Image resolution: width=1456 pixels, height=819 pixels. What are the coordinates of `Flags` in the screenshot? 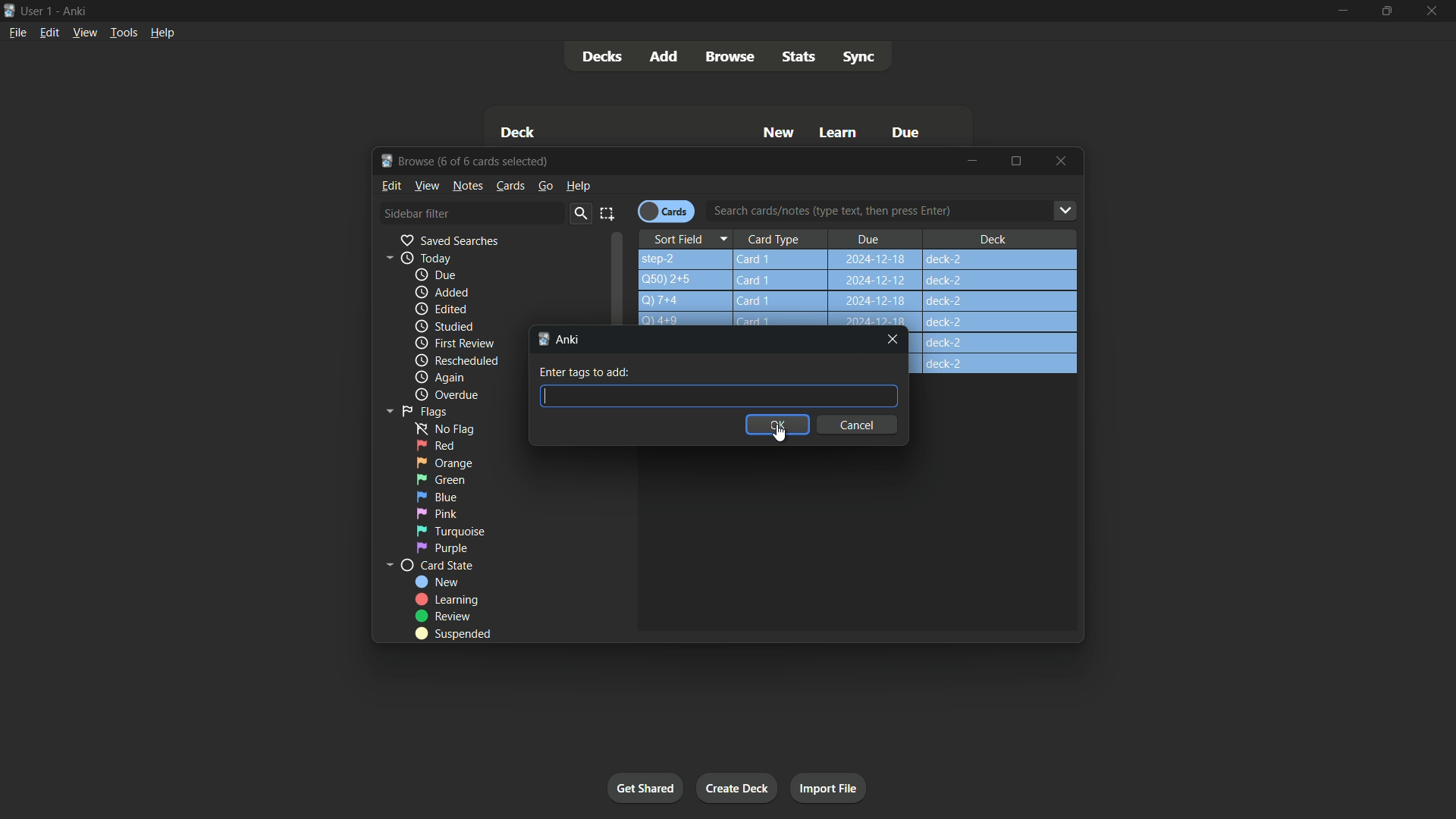 It's located at (413, 410).